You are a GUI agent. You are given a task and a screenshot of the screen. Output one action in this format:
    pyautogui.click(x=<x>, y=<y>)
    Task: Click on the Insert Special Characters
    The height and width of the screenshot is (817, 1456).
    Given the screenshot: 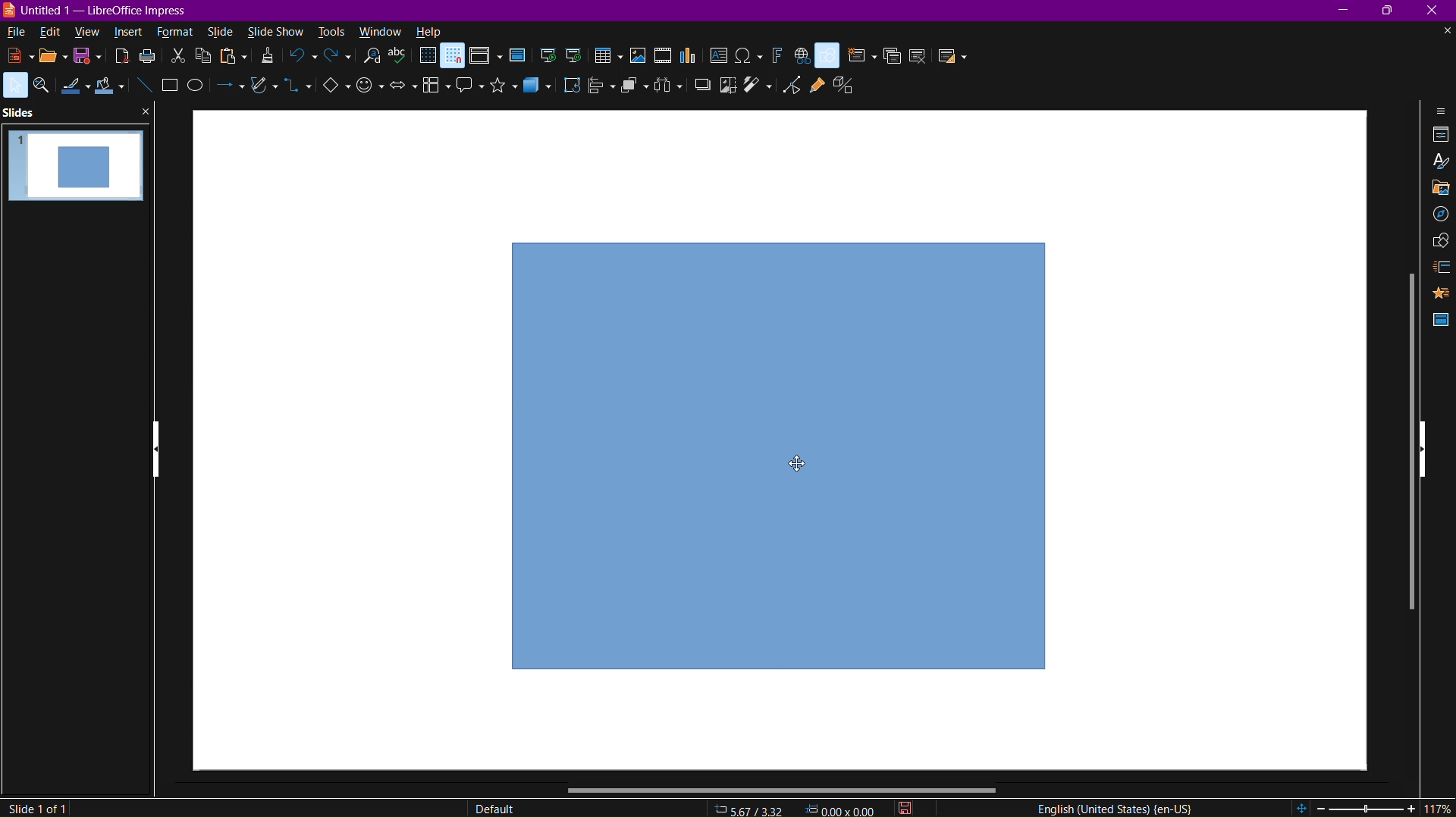 What is the action you would take?
    pyautogui.click(x=749, y=55)
    